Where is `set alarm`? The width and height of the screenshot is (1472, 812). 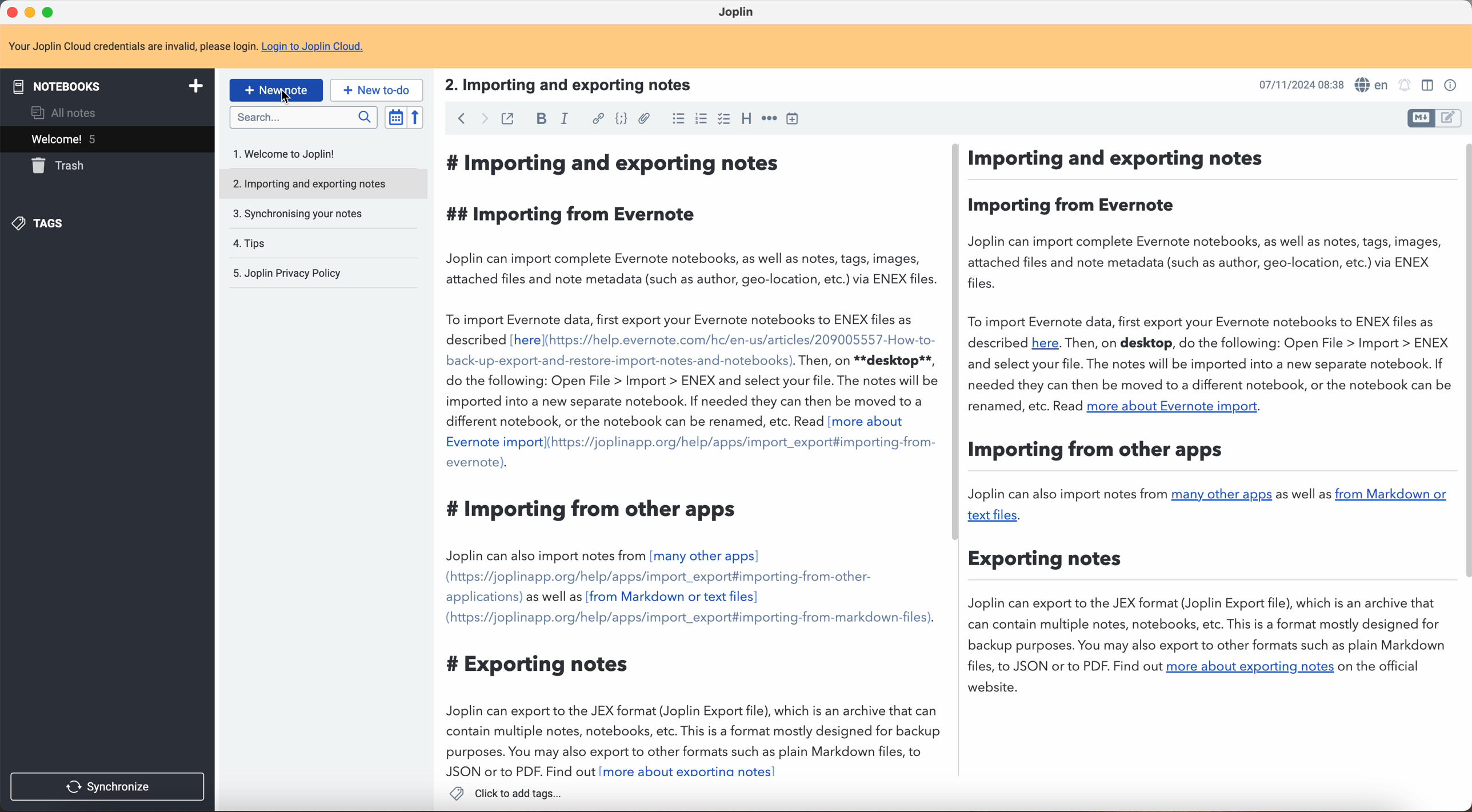 set alarm is located at coordinates (1406, 85).